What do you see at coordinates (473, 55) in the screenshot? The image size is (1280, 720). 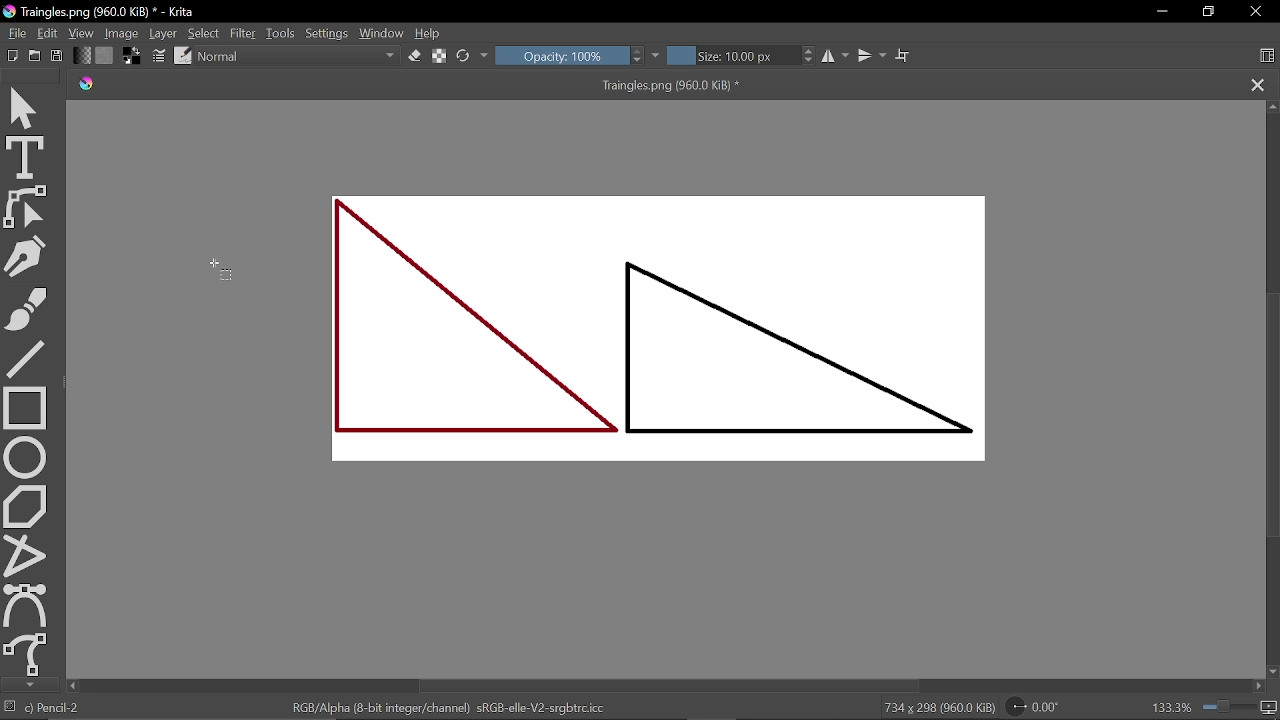 I see `Reload original preset` at bounding box center [473, 55].